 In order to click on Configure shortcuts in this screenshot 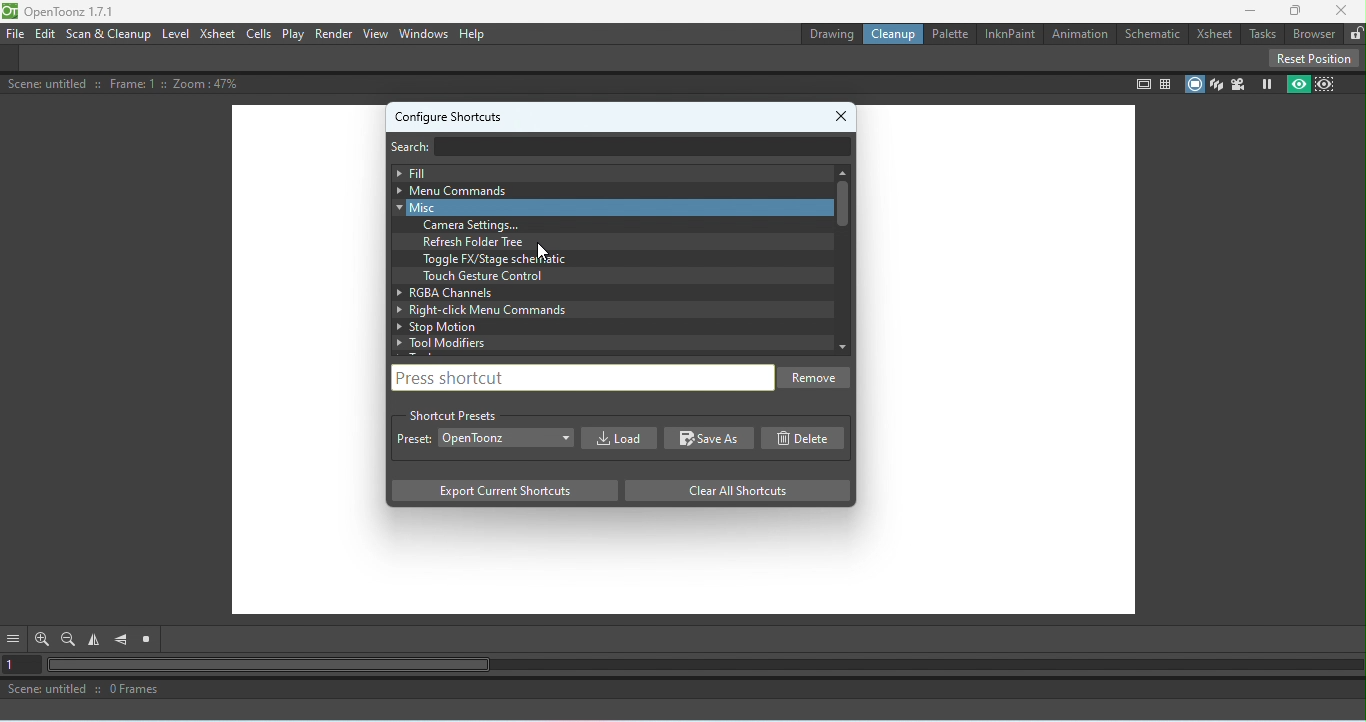, I will do `click(449, 114)`.